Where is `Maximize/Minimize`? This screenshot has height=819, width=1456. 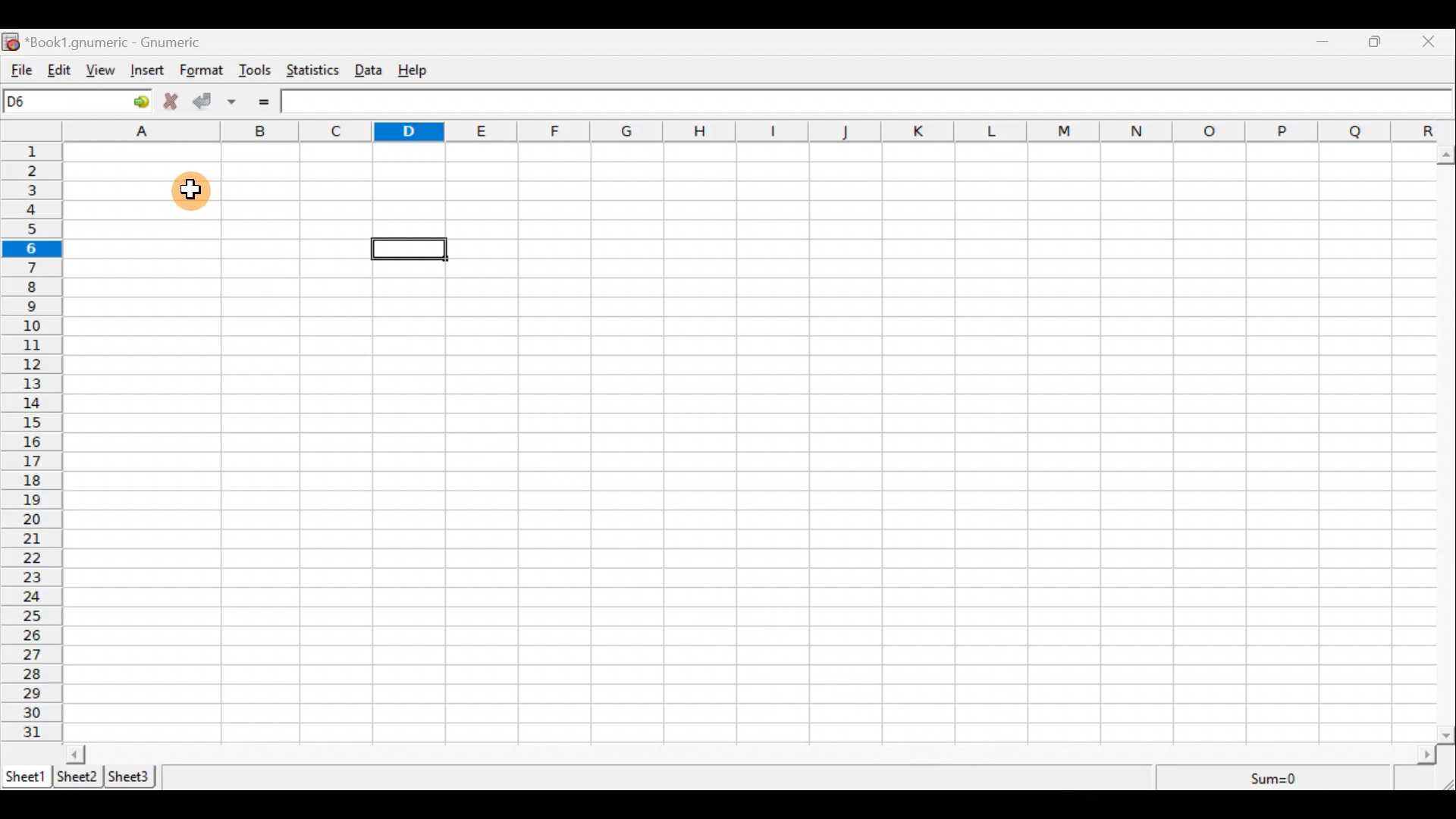 Maximize/Minimize is located at coordinates (1374, 43).